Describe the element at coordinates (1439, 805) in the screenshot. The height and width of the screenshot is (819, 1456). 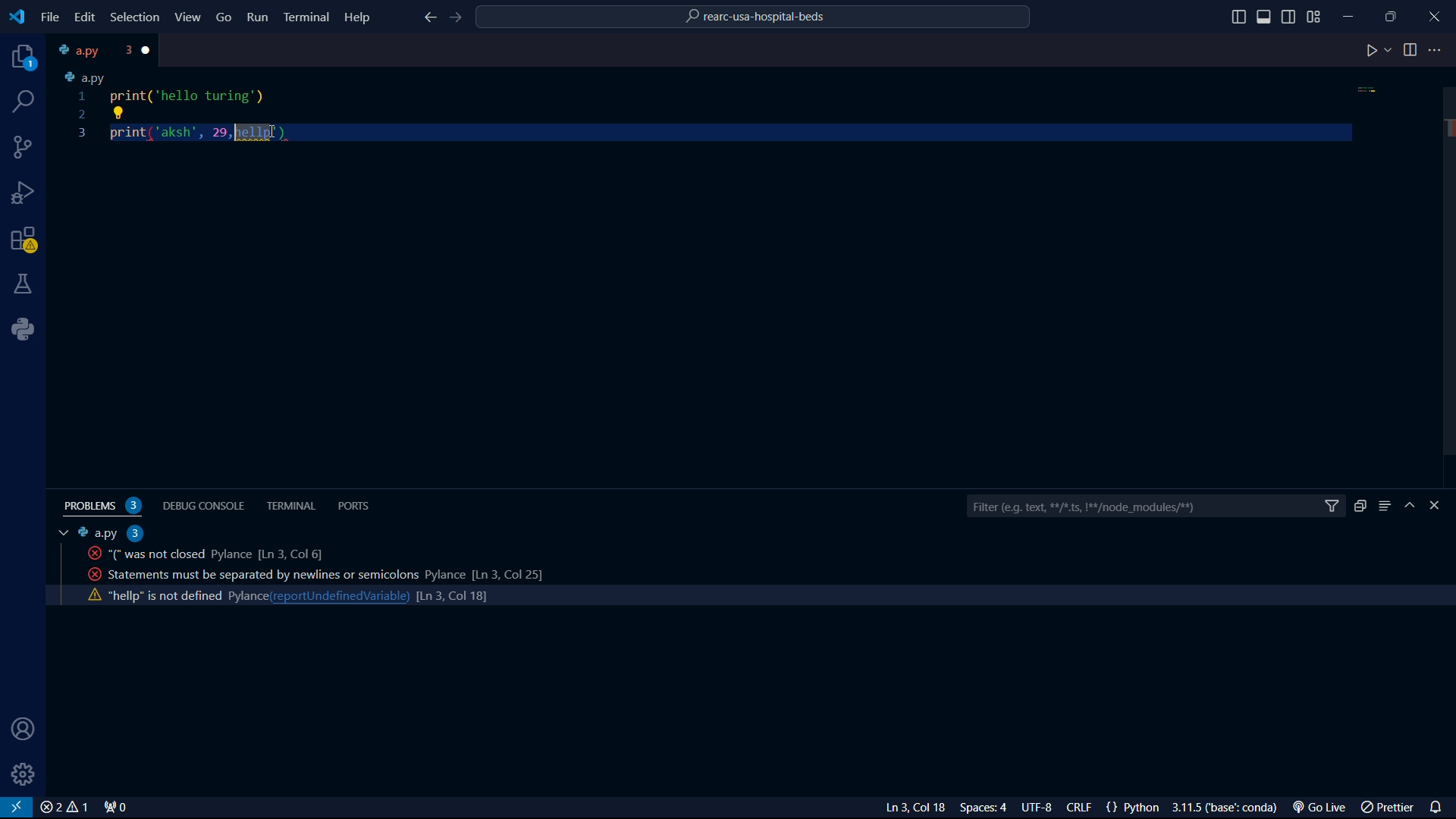
I see `notifications` at that location.